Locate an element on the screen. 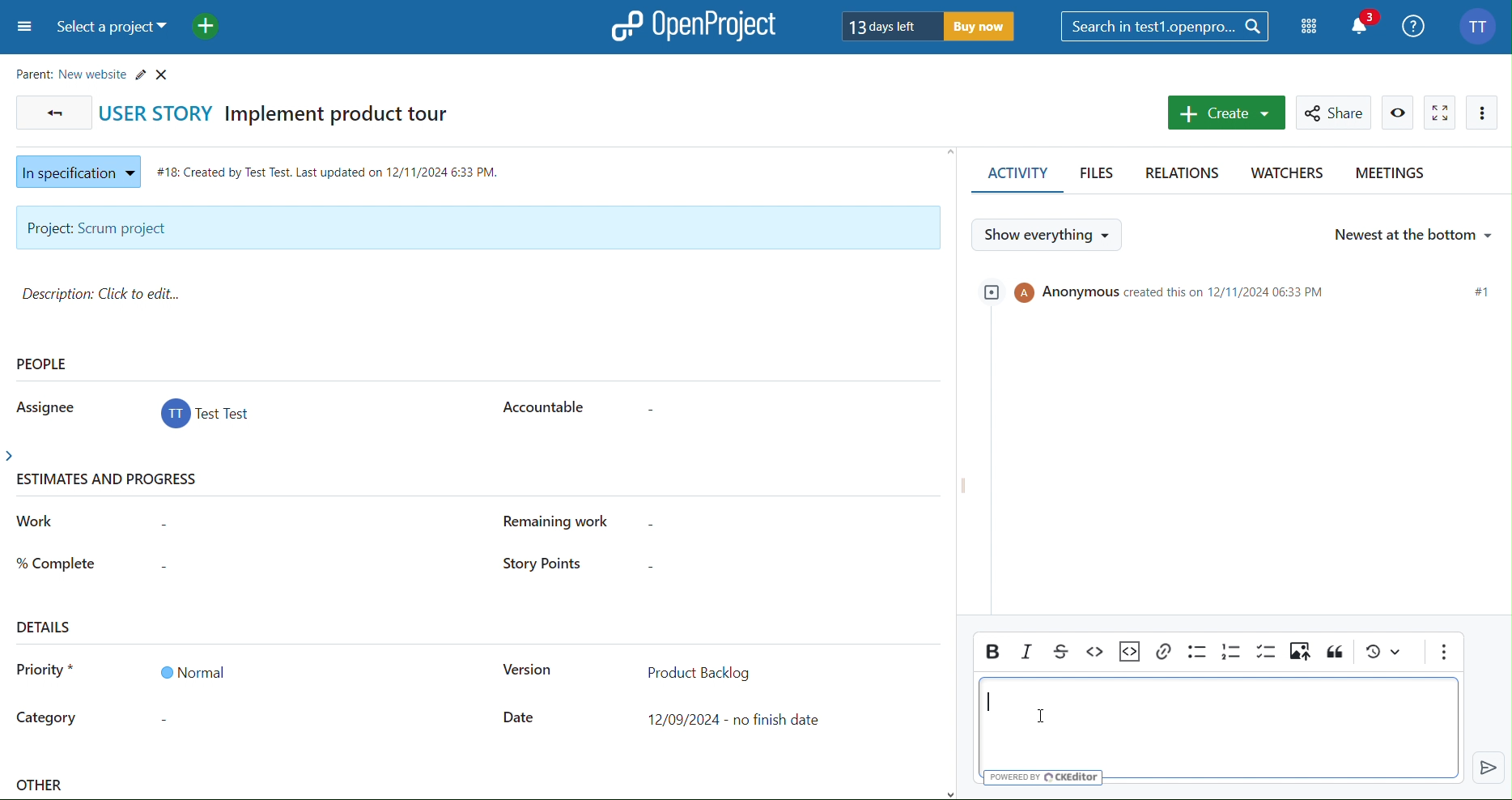  Version is located at coordinates (526, 672).